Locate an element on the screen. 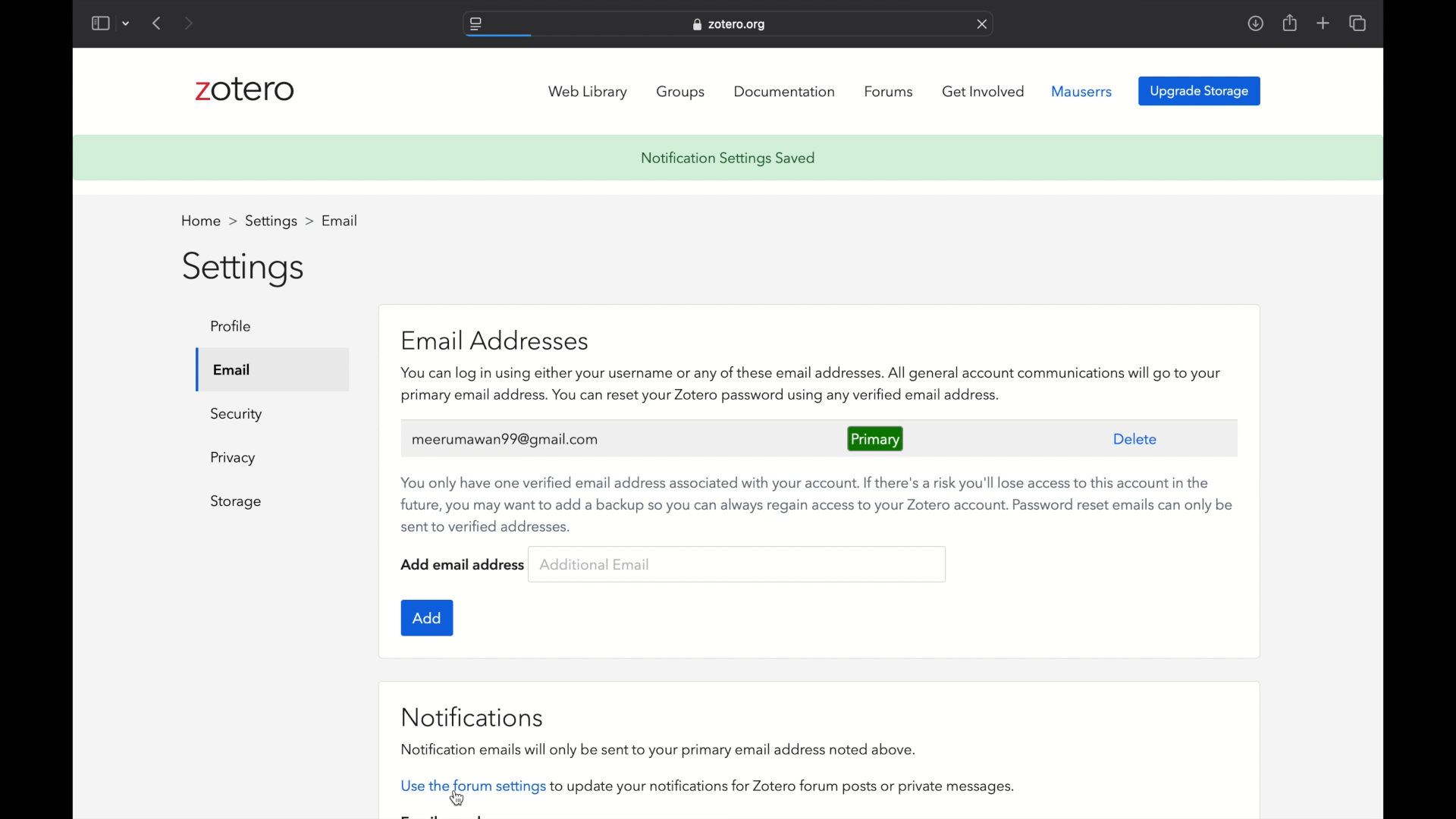  documentation is located at coordinates (784, 91).